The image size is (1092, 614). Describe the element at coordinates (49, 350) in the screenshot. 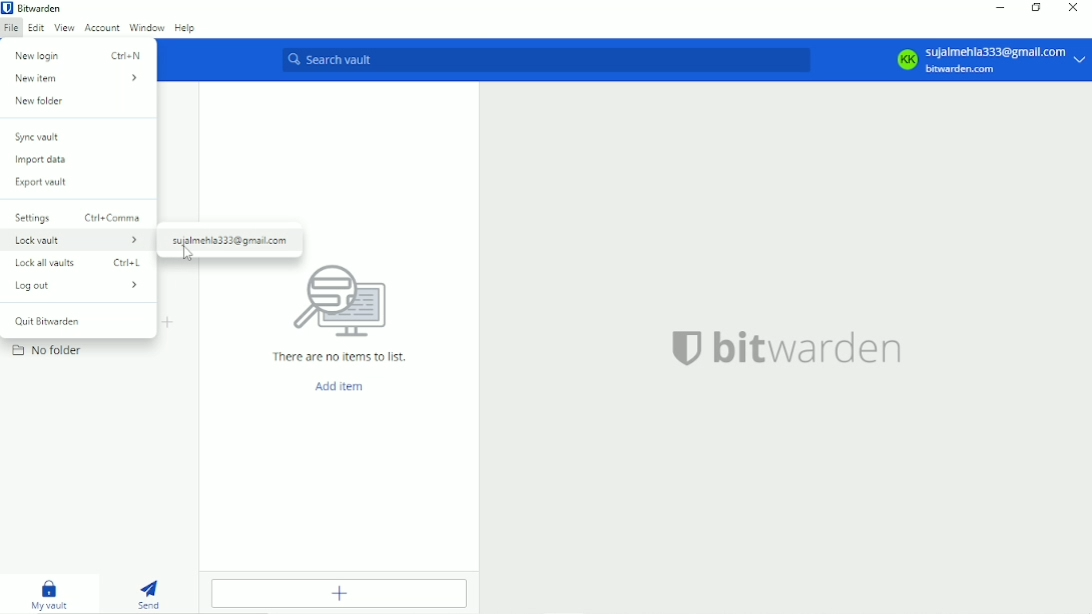

I see `No folder` at that location.